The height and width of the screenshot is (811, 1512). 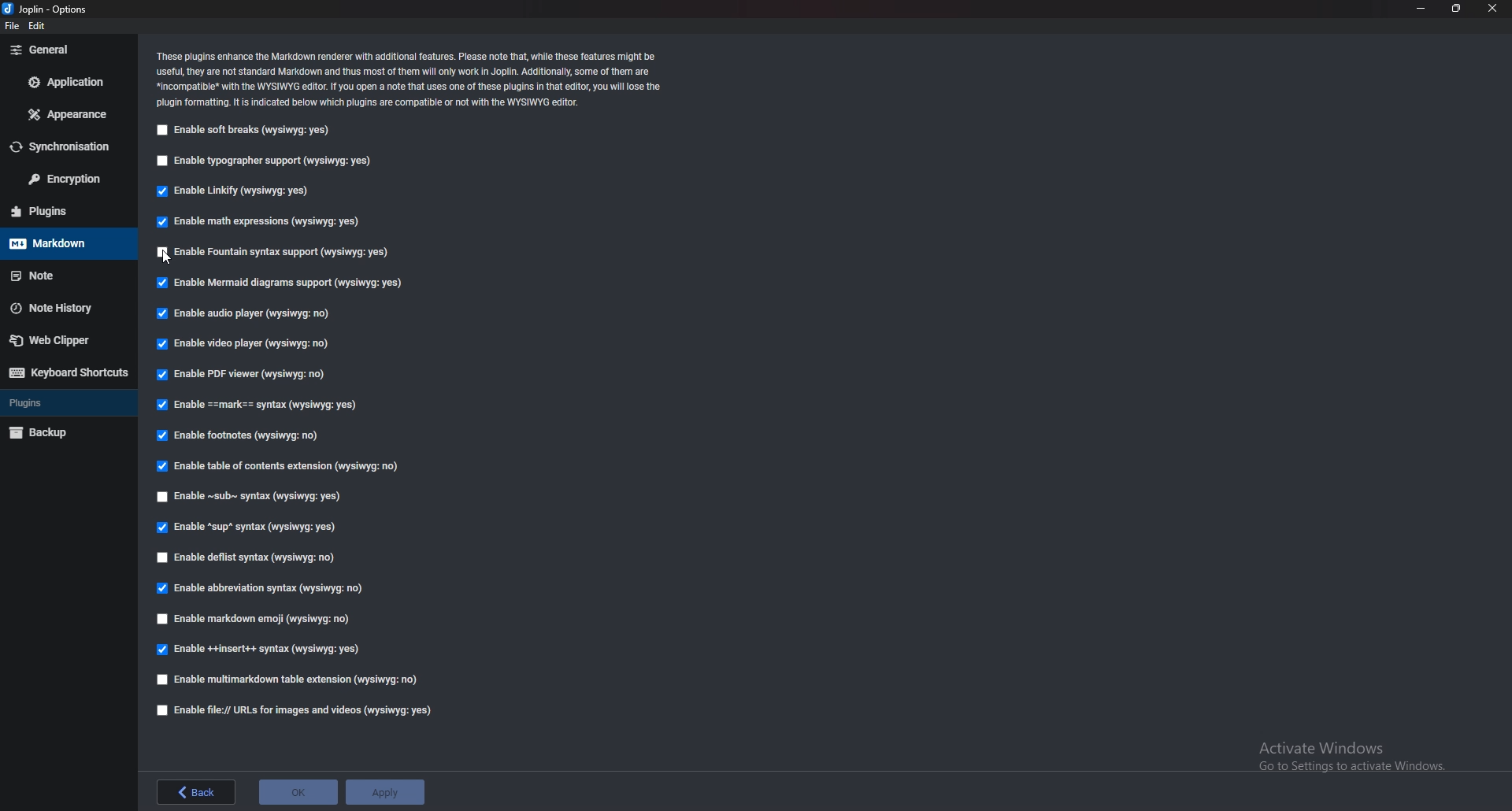 I want to click on options, so click(x=46, y=8).